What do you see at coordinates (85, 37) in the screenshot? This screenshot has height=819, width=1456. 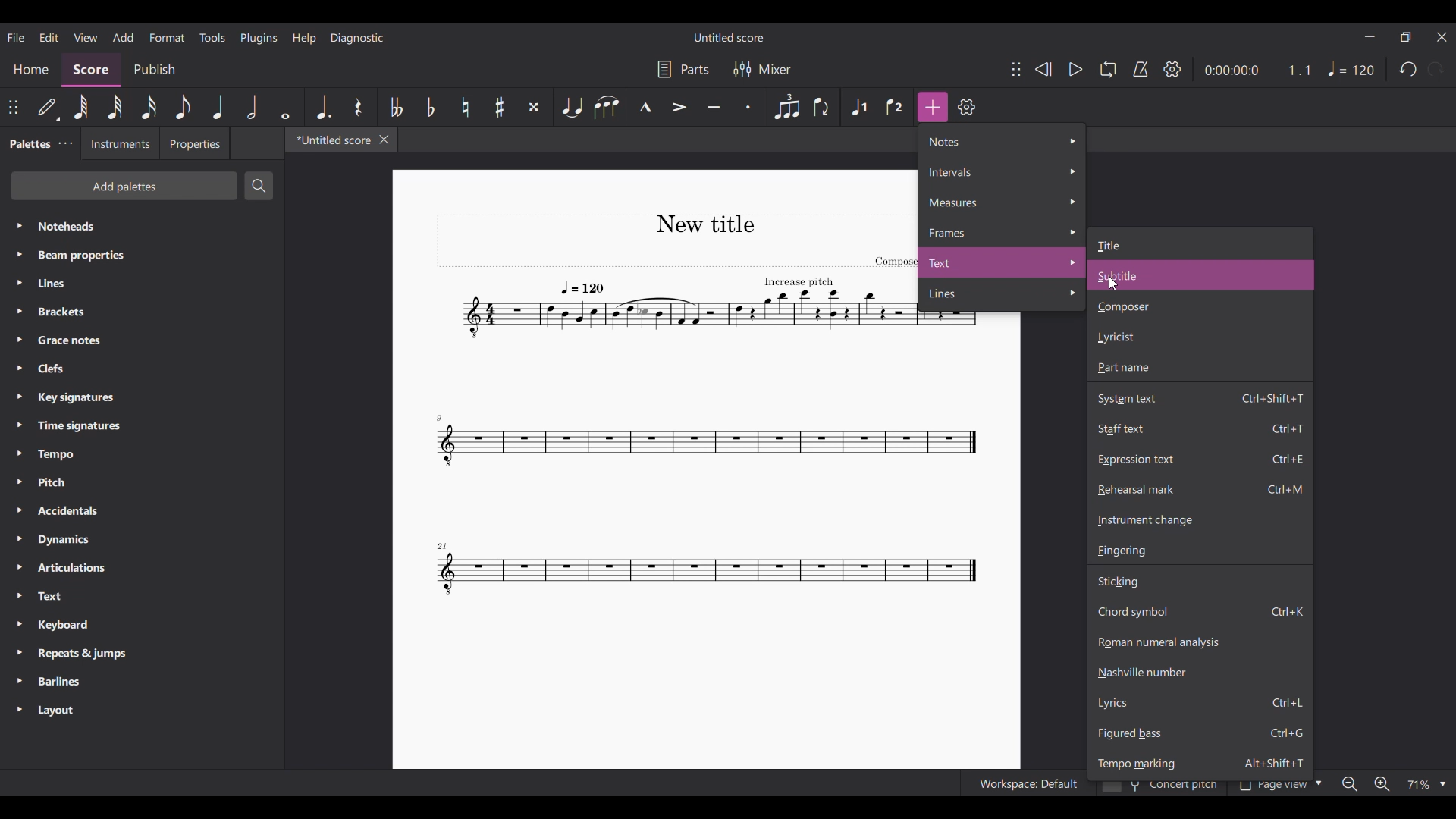 I see `View menu` at bounding box center [85, 37].